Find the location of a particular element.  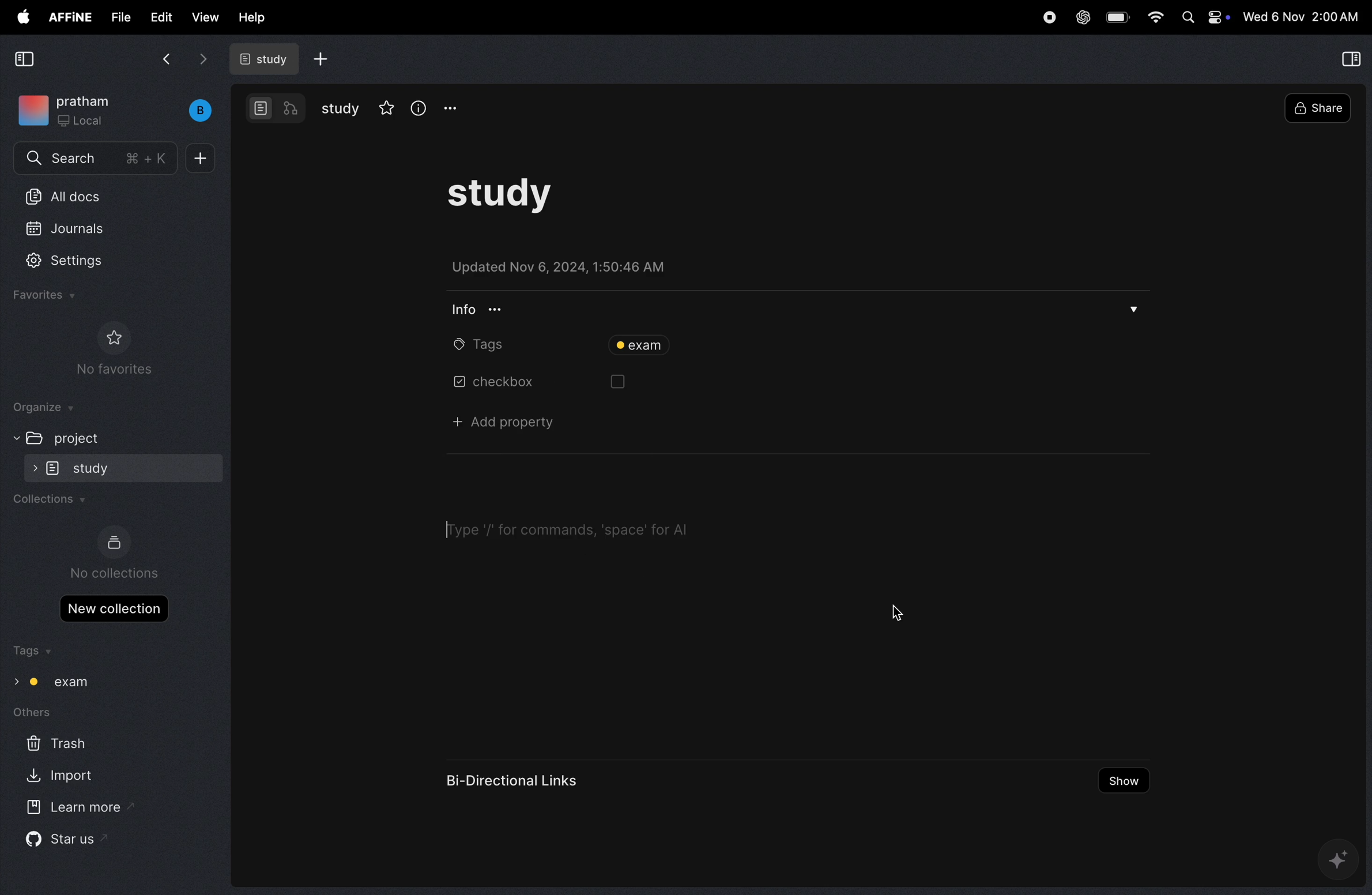

apple menu is located at coordinates (24, 18).